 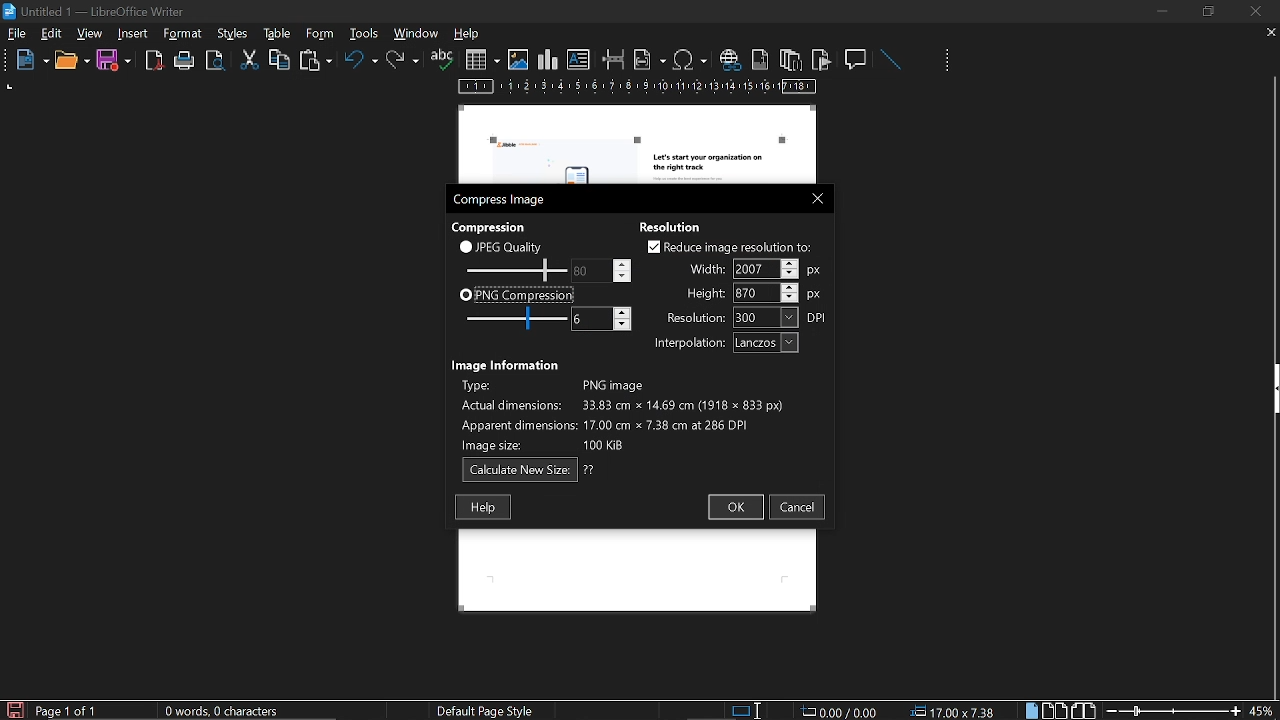 I want to click on insert table, so click(x=482, y=60).